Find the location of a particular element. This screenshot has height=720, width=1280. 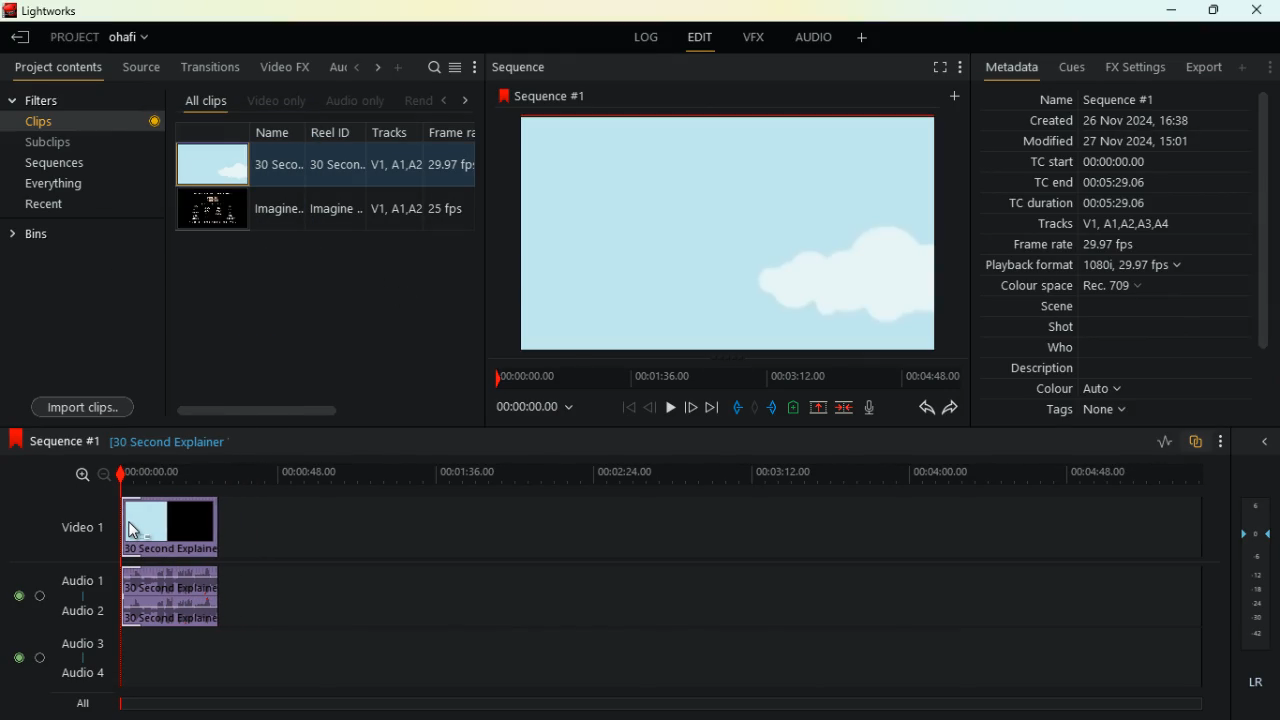

Name Sequence #1 is located at coordinates (1092, 100).